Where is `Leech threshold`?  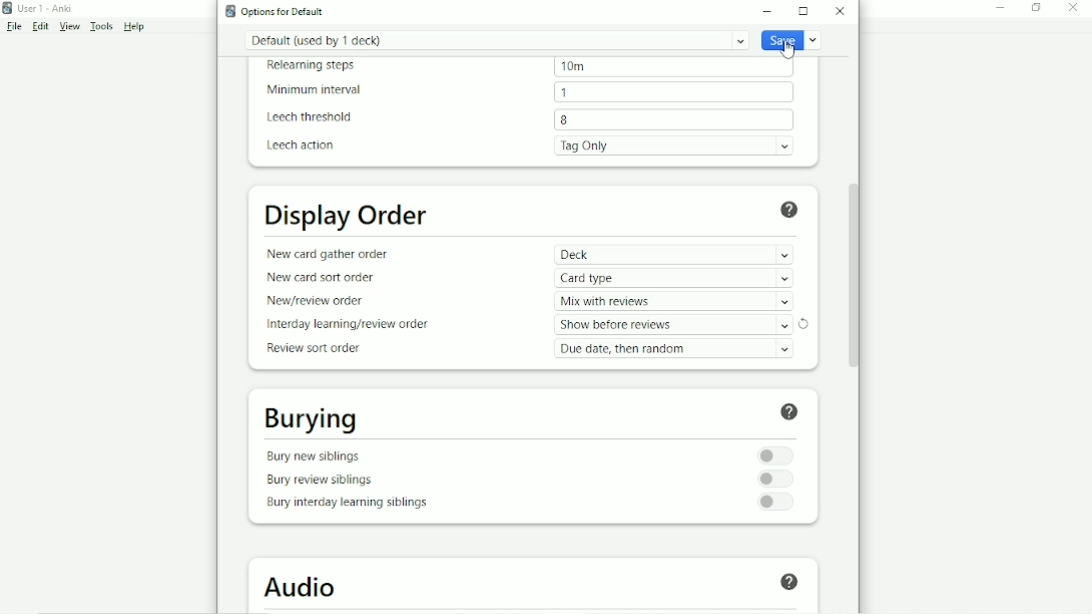
Leech threshold is located at coordinates (310, 118).